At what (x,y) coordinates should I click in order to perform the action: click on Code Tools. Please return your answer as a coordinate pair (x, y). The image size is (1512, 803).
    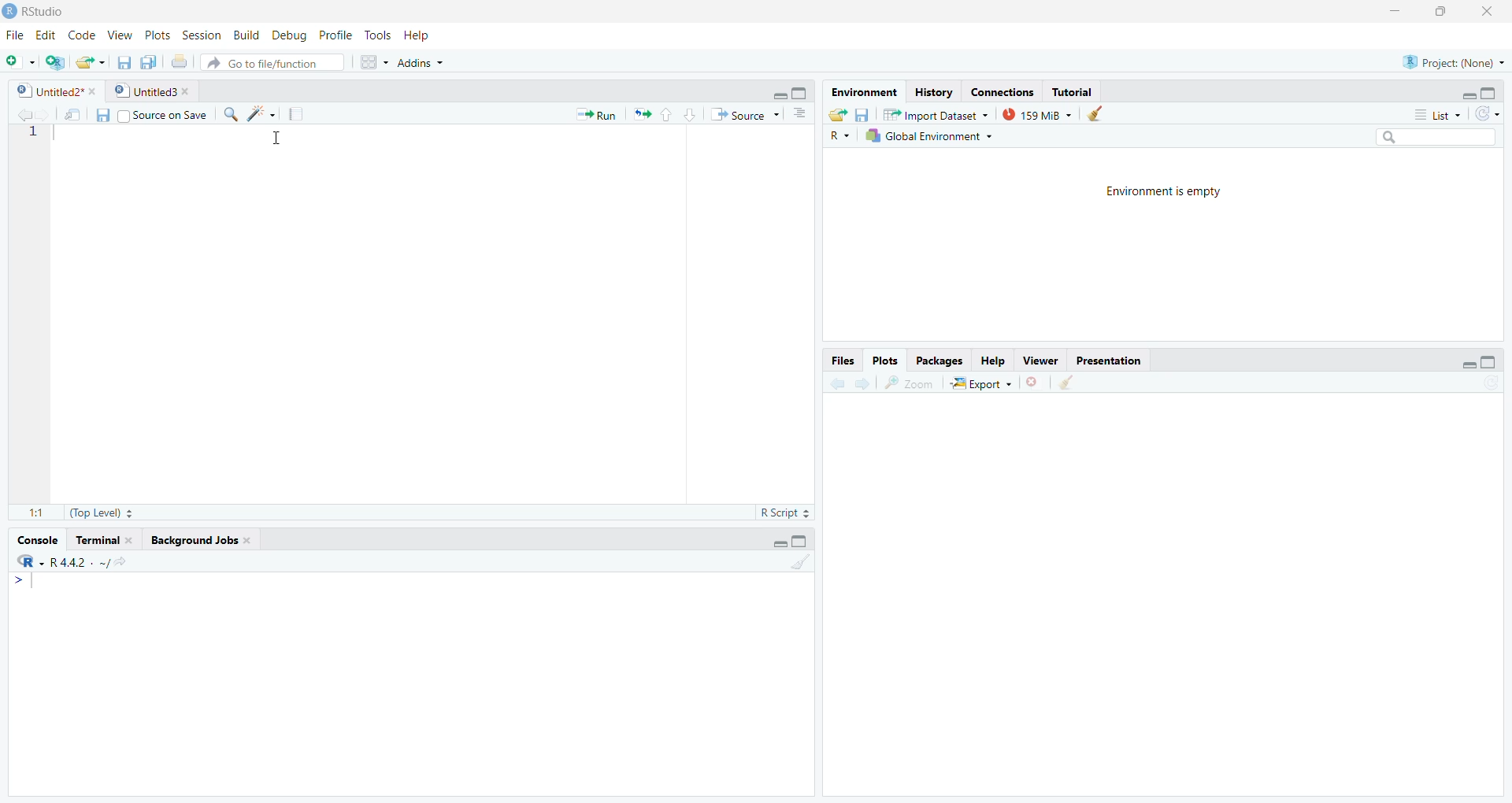
    Looking at the image, I should click on (261, 113).